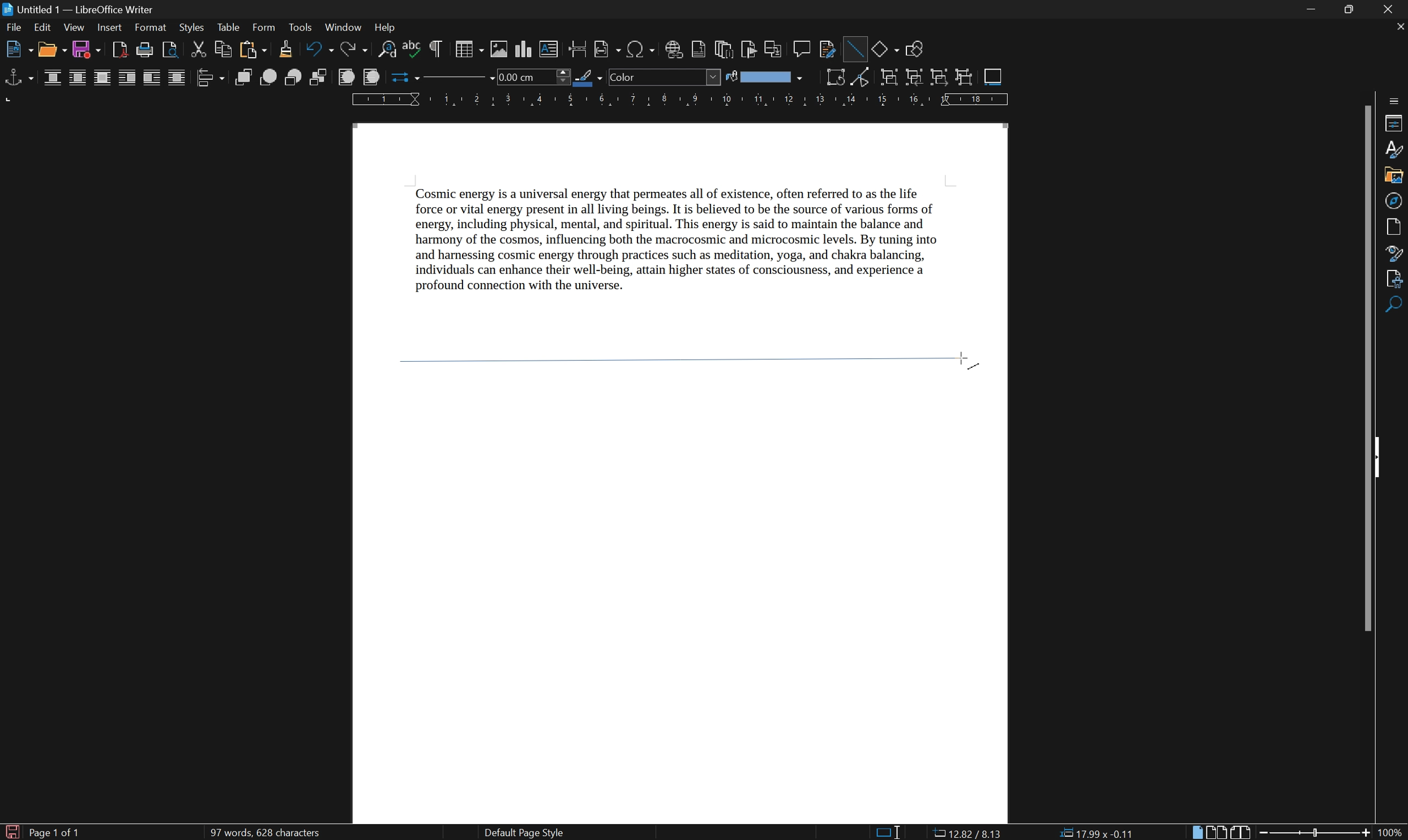 The height and width of the screenshot is (840, 1408). I want to click on basic shapes, so click(885, 48).